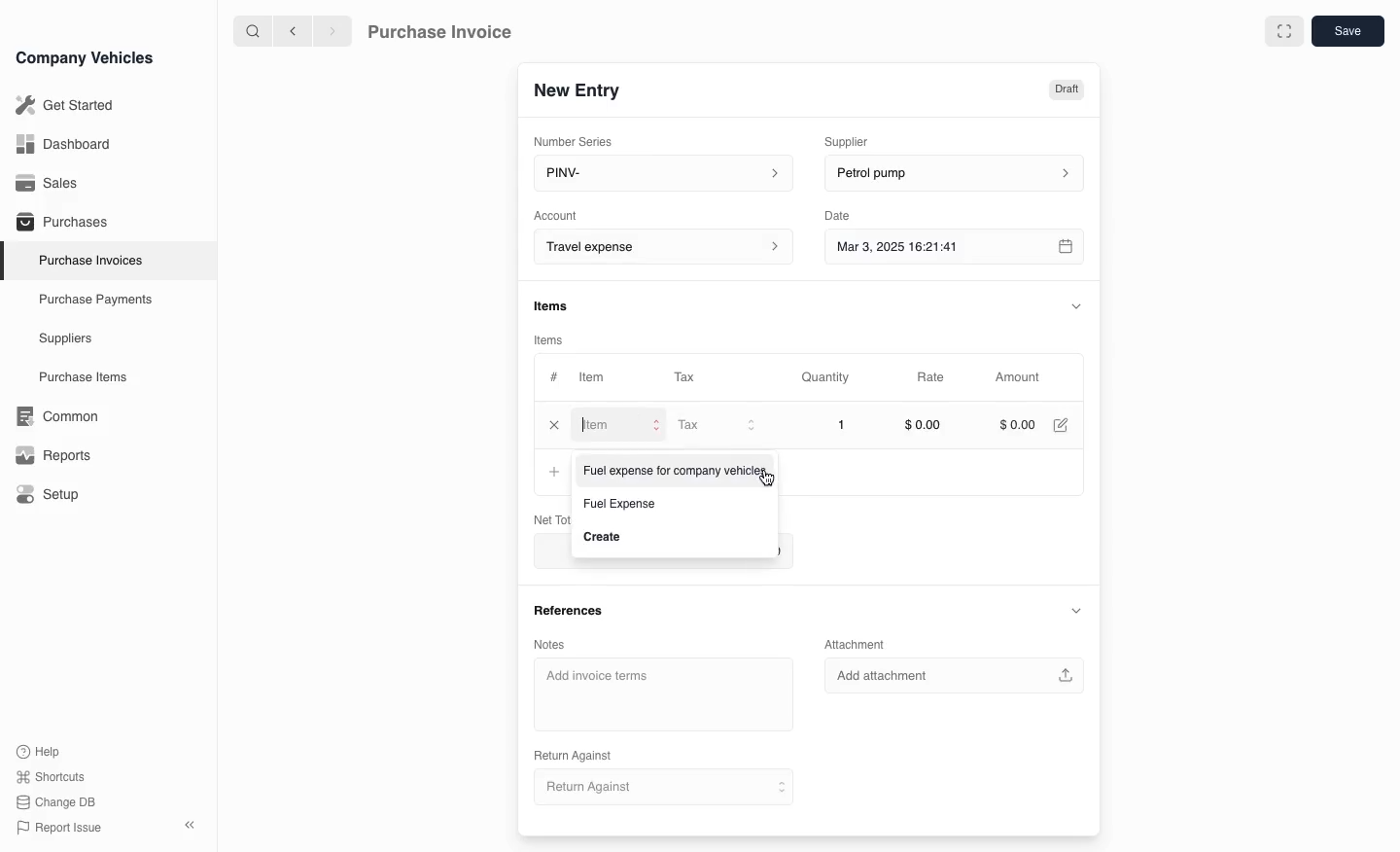  What do you see at coordinates (838, 216) in the screenshot?
I see `Date` at bounding box center [838, 216].